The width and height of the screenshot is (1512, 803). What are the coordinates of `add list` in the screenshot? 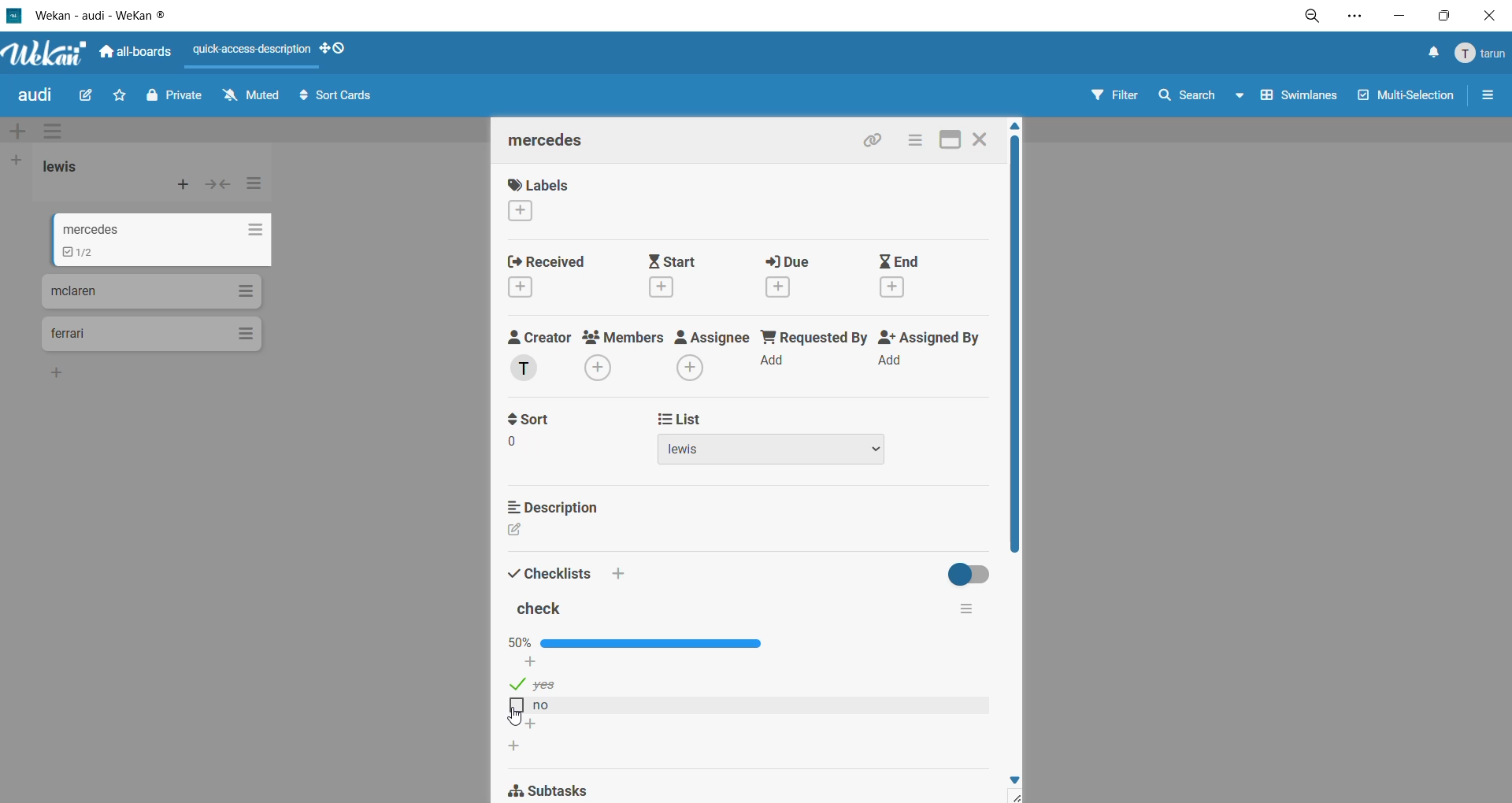 It's located at (19, 161).